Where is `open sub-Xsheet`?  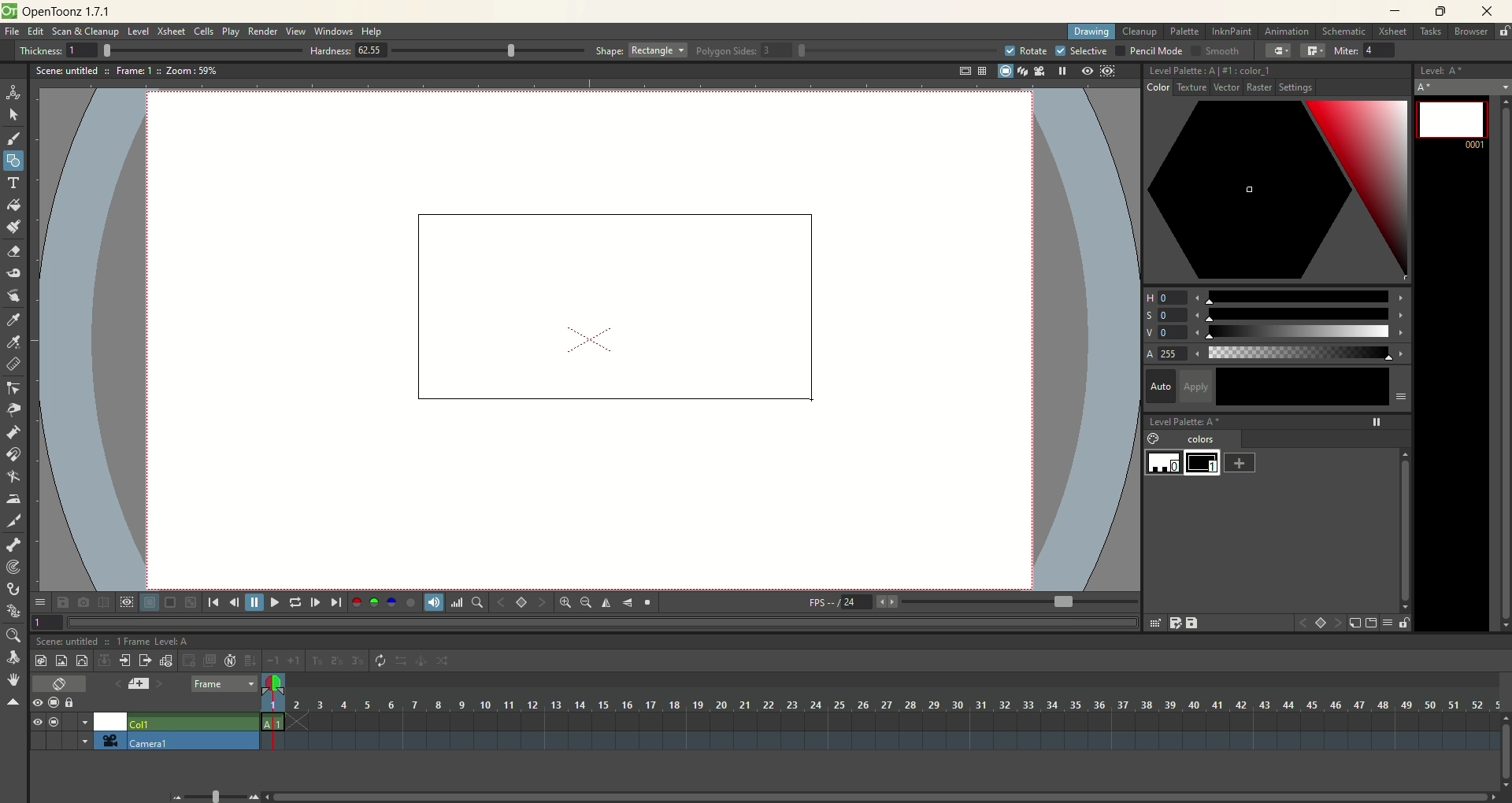
open sub-Xsheet is located at coordinates (126, 661).